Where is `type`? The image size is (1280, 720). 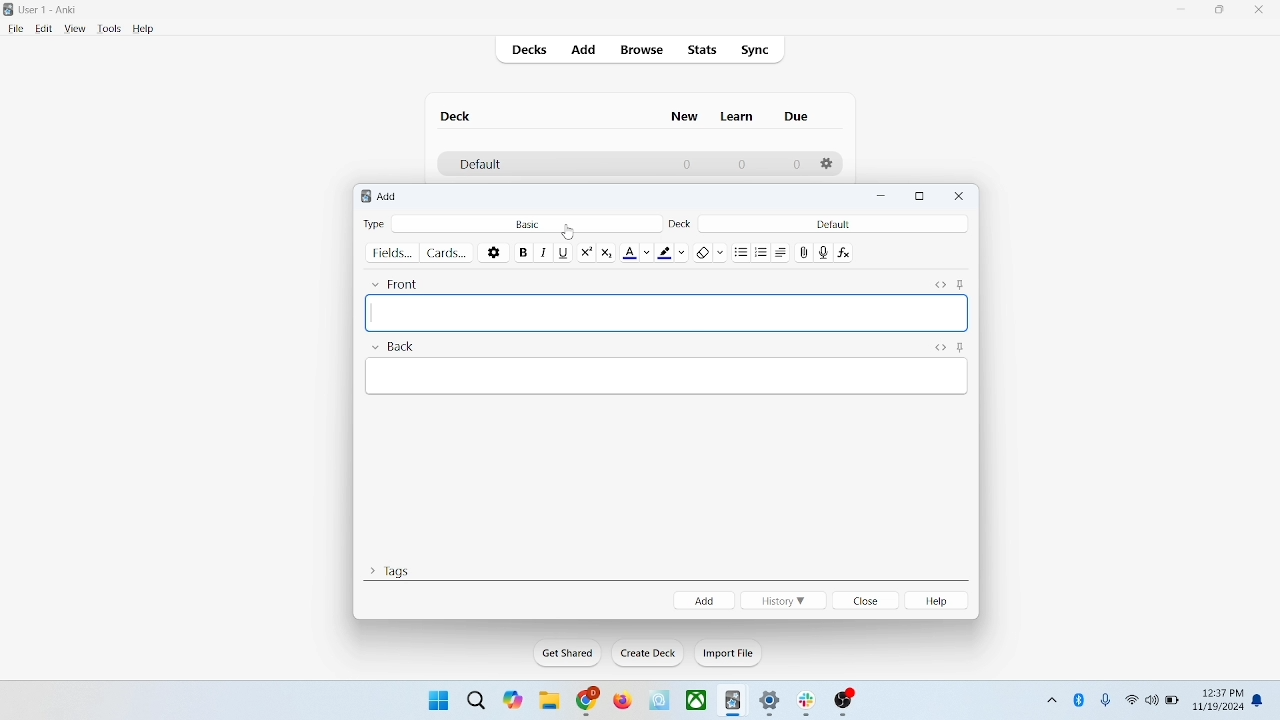
type is located at coordinates (373, 223).